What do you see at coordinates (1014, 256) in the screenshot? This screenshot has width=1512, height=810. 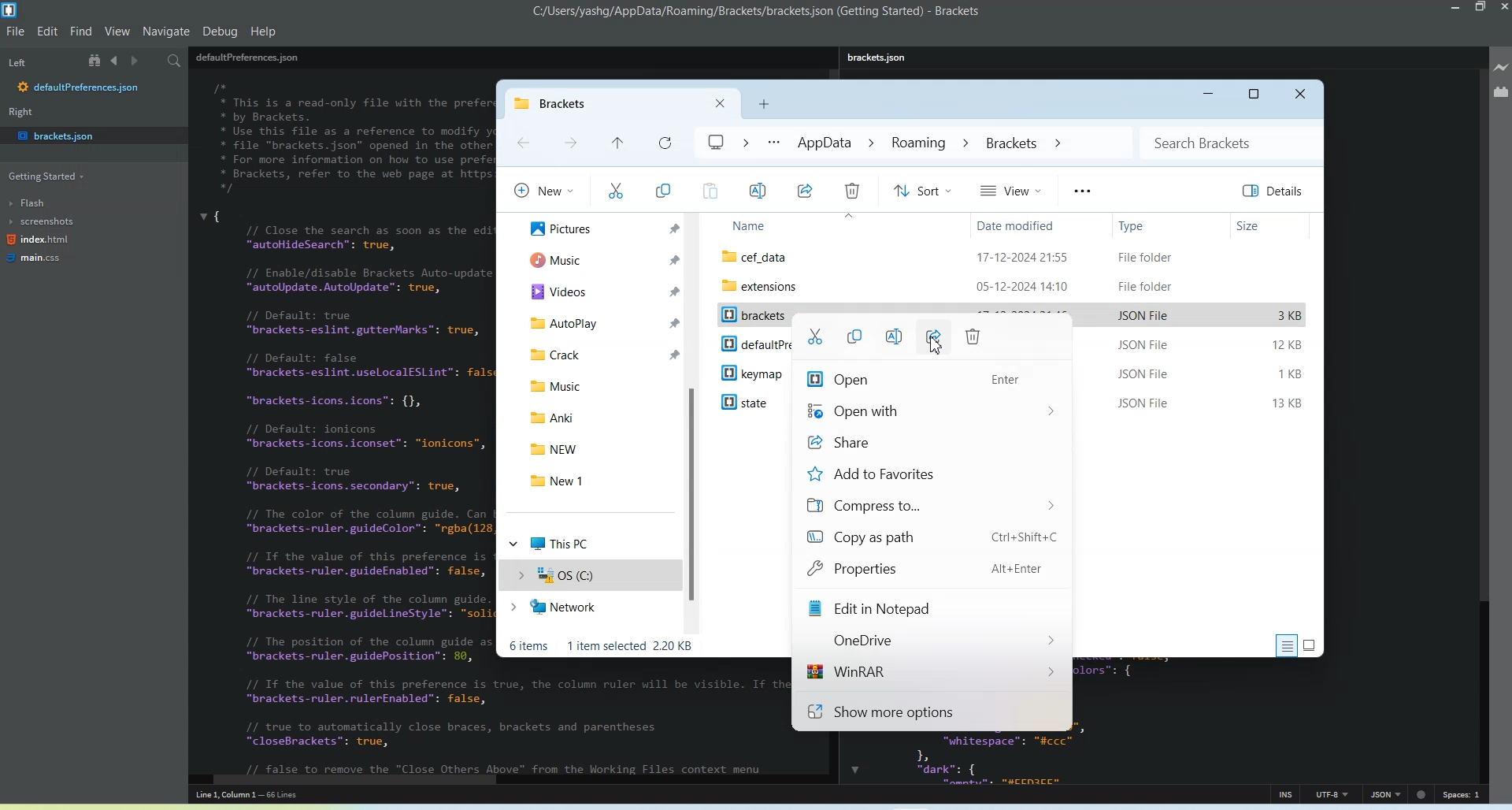 I see `File` at bounding box center [1014, 256].